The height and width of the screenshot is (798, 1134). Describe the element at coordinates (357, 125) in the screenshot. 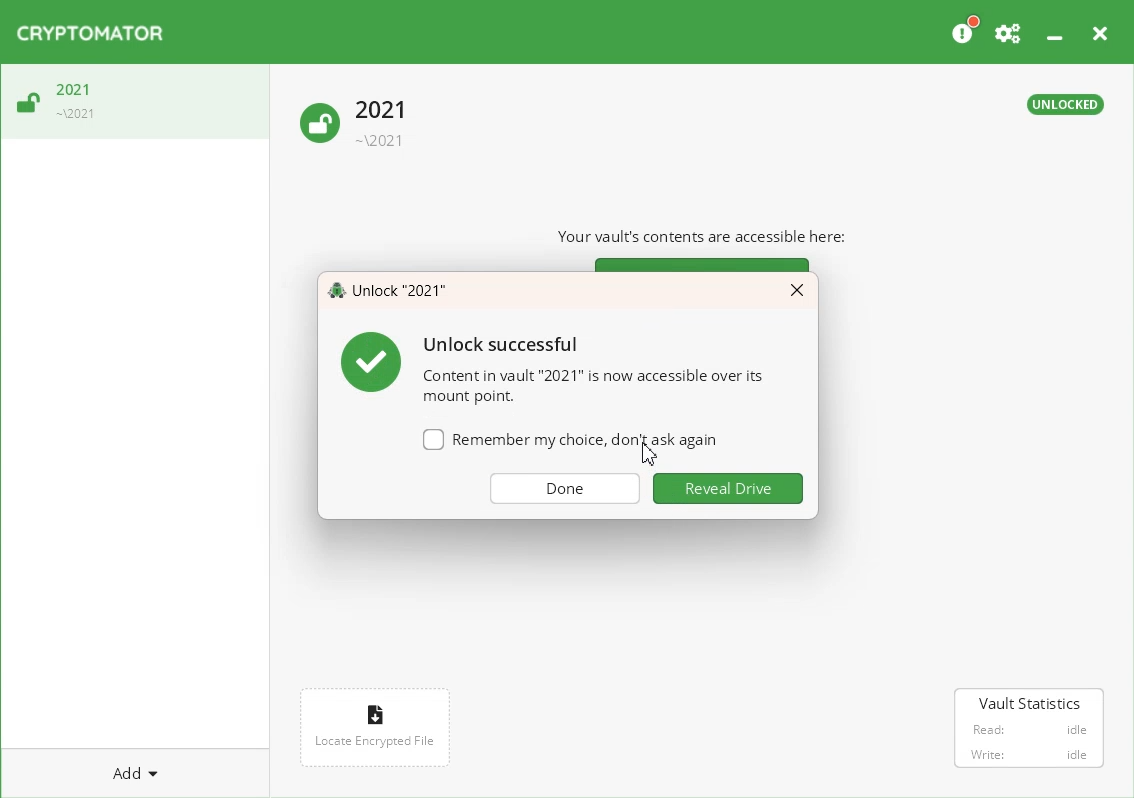

I see `Unlock Vault` at that location.